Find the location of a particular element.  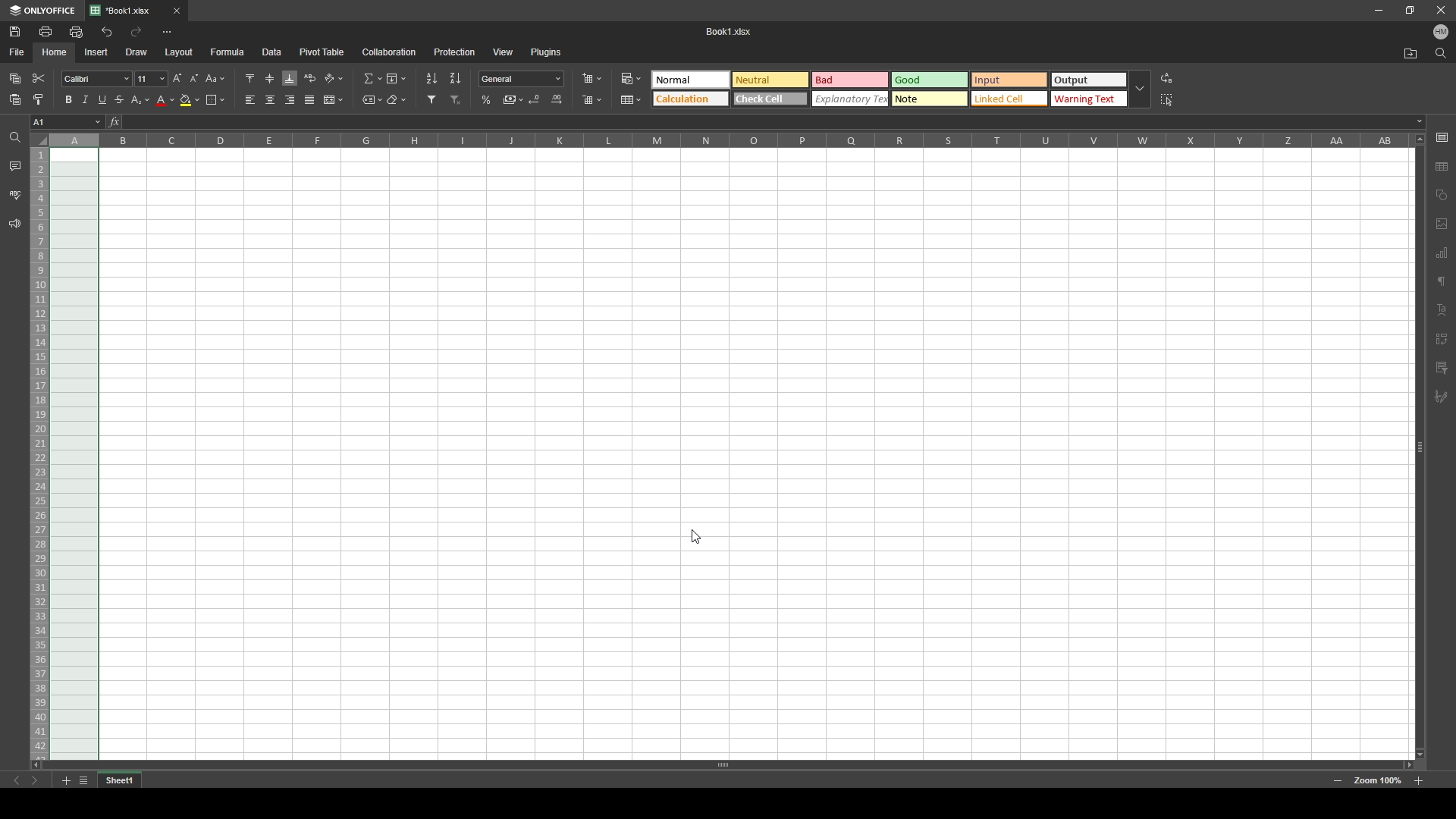

layout is located at coordinates (179, 52).